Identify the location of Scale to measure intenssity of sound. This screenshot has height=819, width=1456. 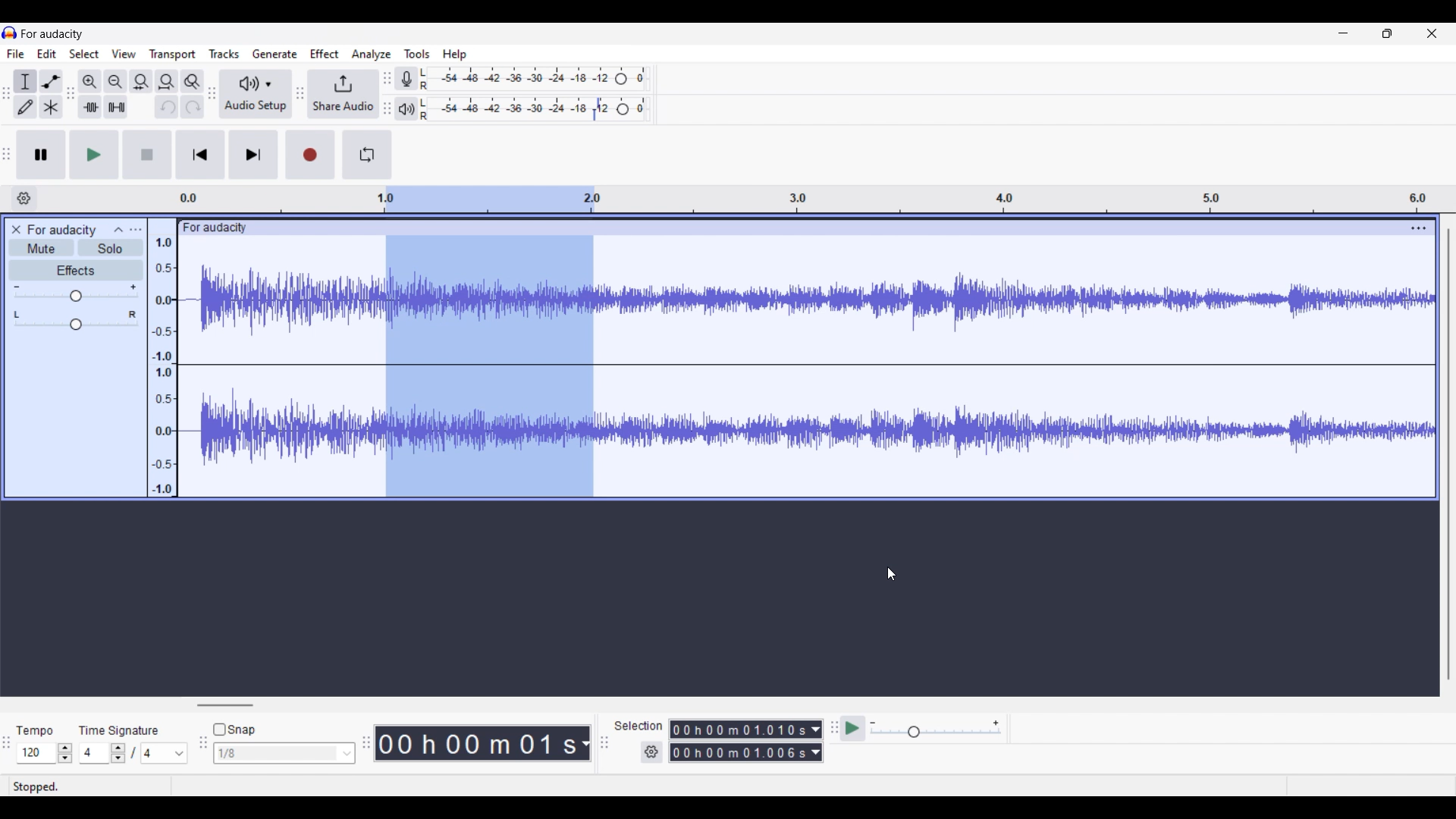
(163, 366).